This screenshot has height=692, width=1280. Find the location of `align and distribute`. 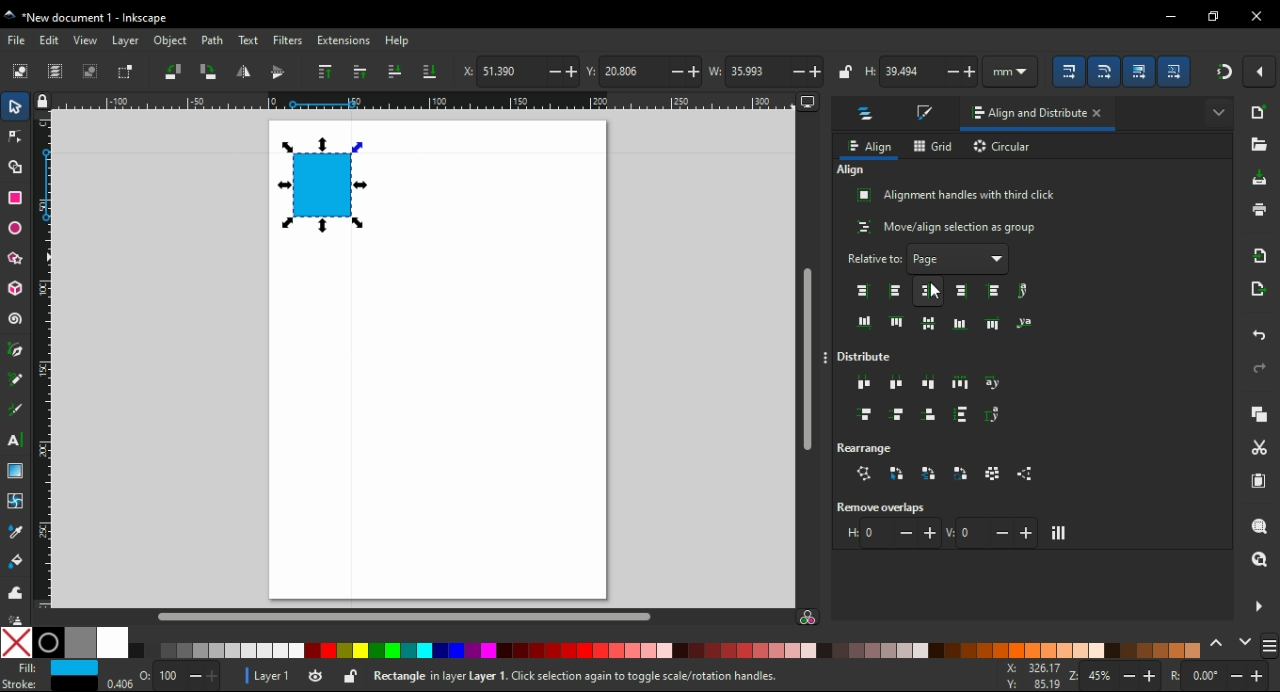

align and distribute is located at coordinates (1023, 117).